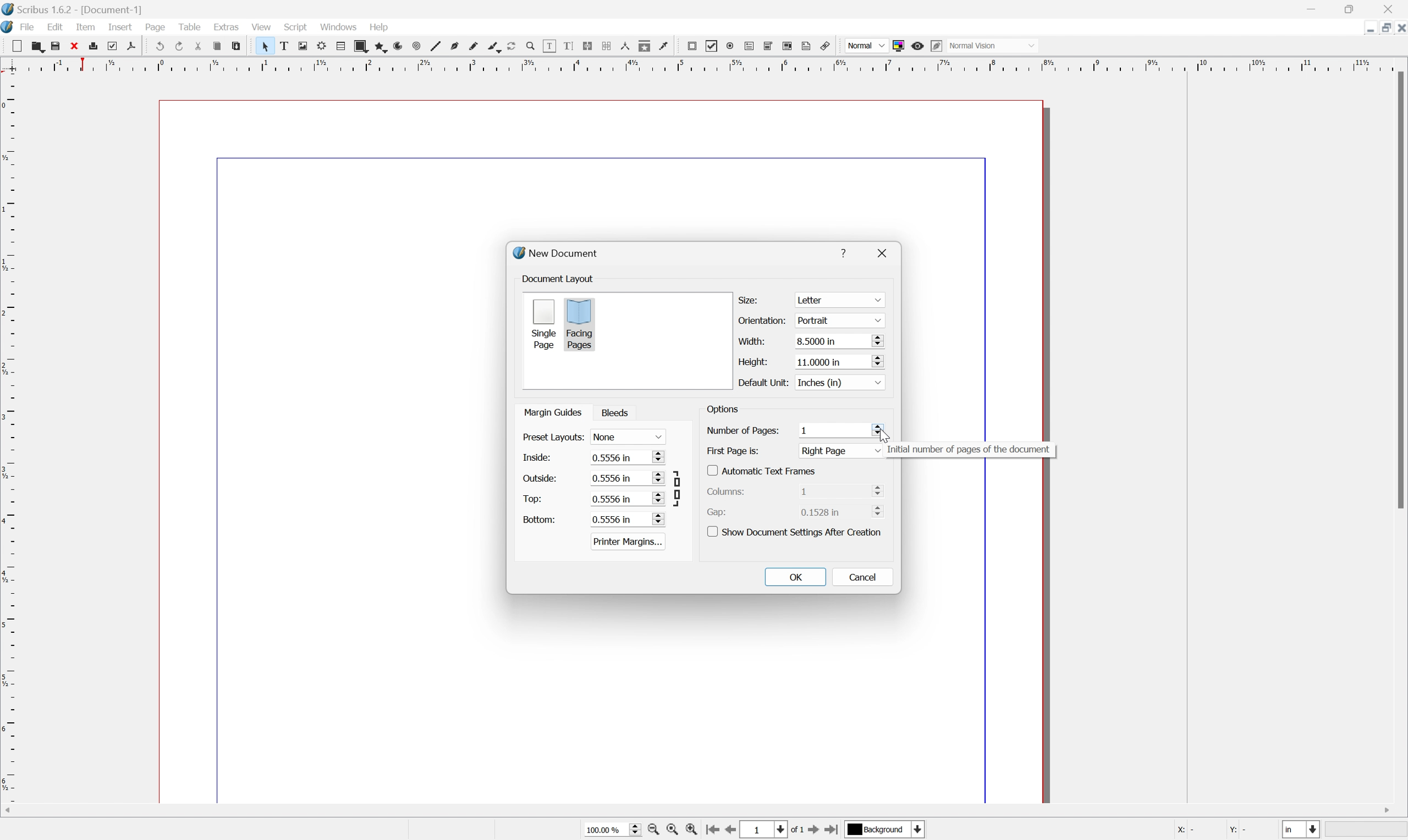 Image resolution: width=1408 pixels, height=840 pixels. Describe the element at coordinates (691, 46) in the screenshot. I see `PDF push button` at that location.